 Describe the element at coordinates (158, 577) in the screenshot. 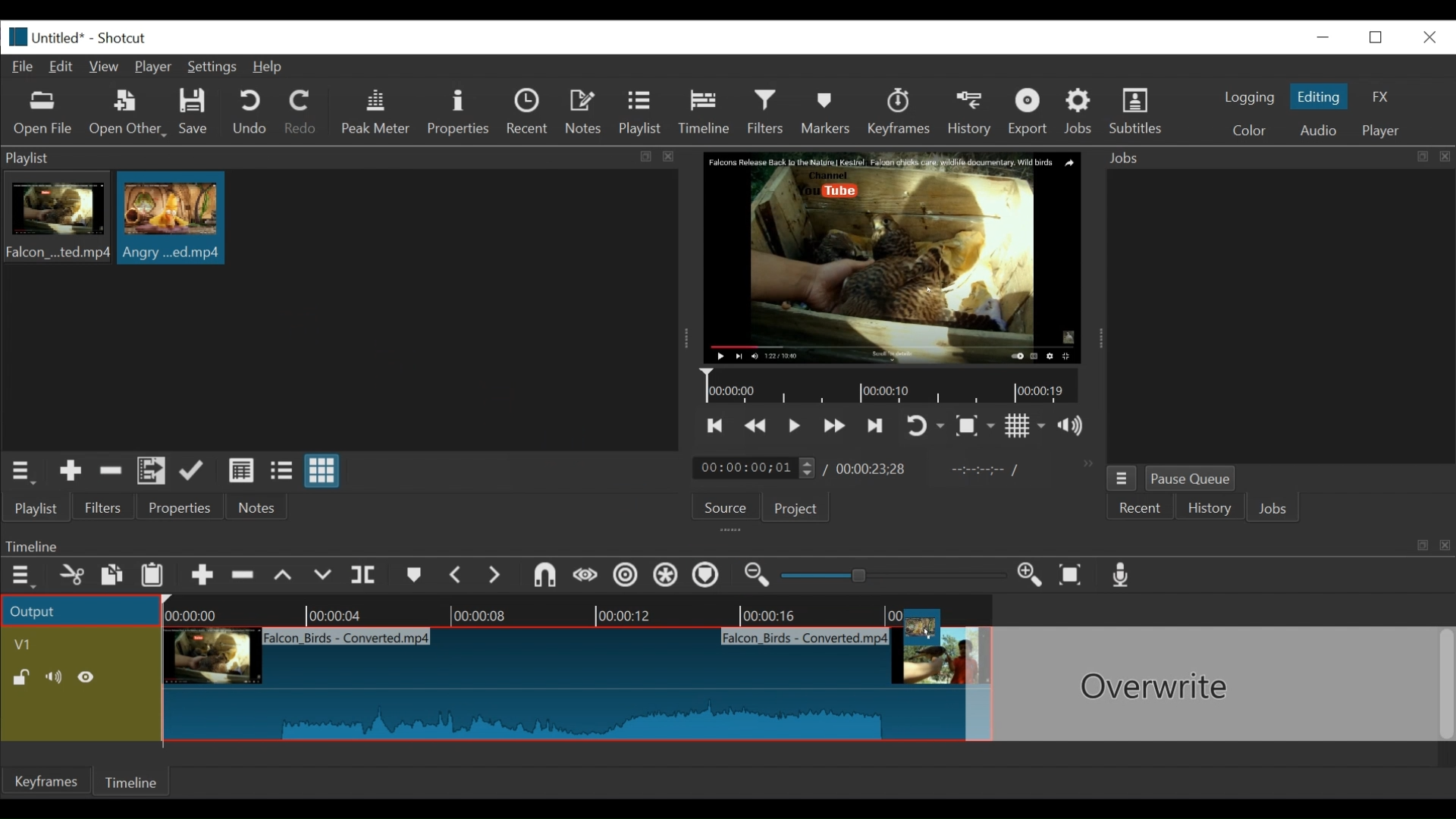

I see `Paste` at that location.